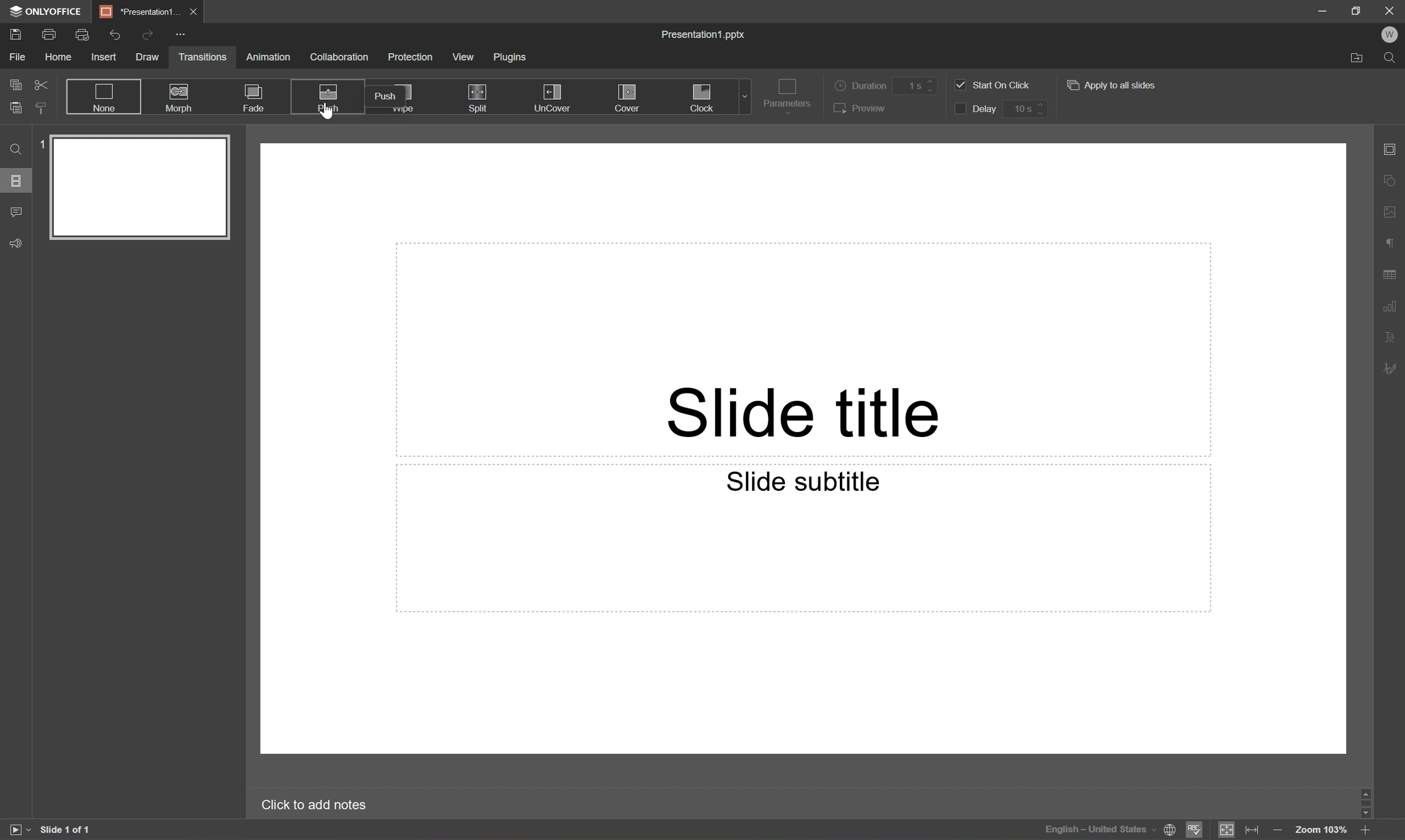 This screenshot has height=840, width=1405. What do you see at coordinates (15, 246) in the screenshot?
I see `Feedback & Support` at bounding box center [15, 246].